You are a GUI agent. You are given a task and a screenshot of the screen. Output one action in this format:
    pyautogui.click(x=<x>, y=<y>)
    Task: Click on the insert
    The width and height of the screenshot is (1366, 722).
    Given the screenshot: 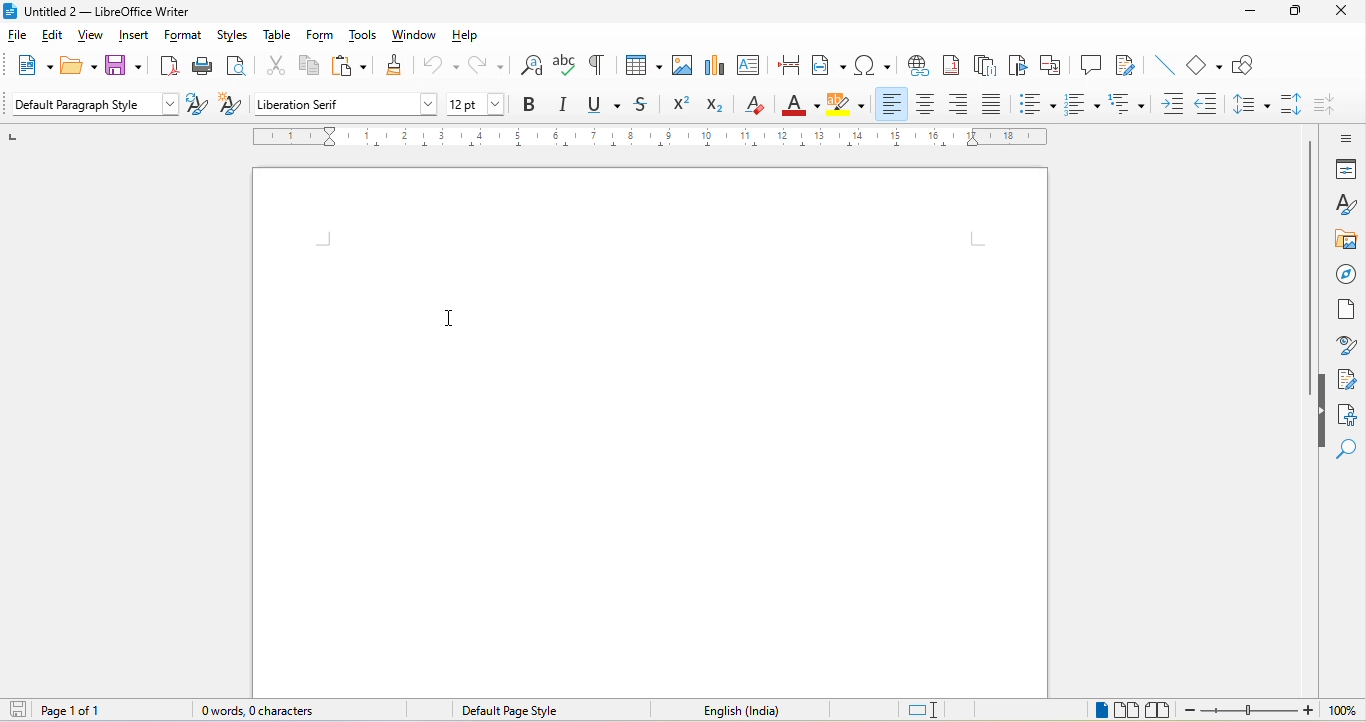 What is the action you would take?
    pyautogui.click(x=134, y=37)
    